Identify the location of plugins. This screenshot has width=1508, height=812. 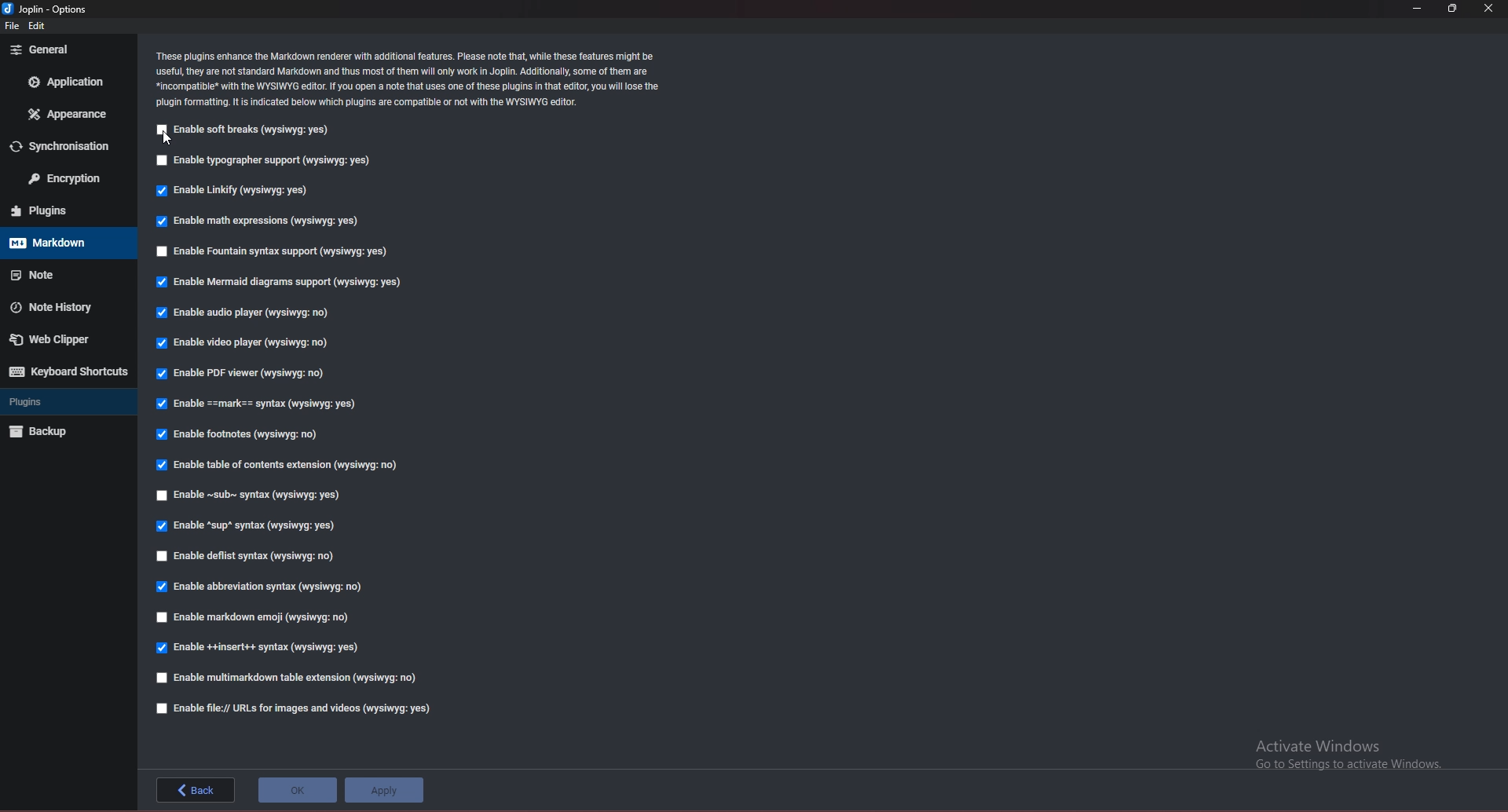
(64, 402).